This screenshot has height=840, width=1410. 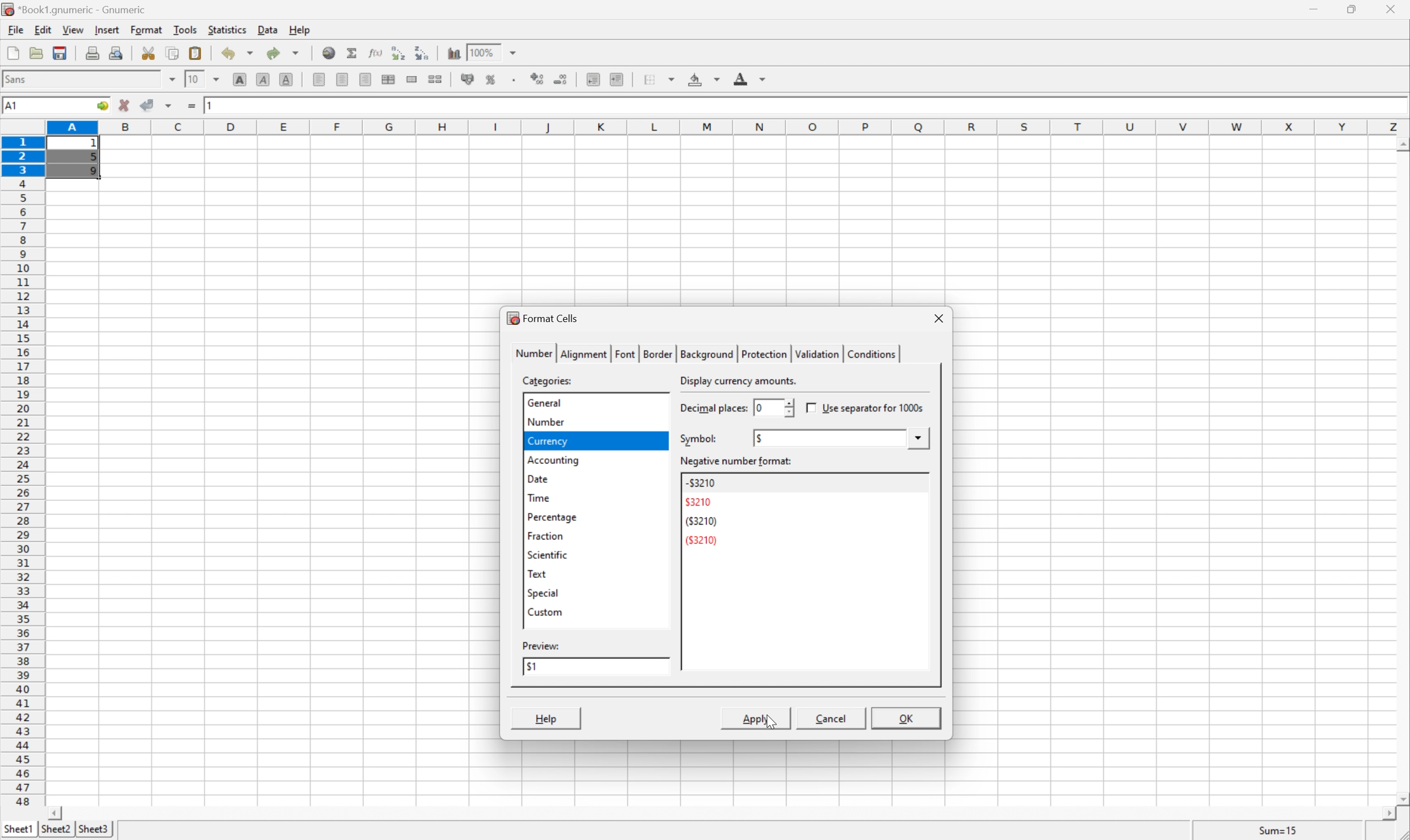 What do you see at coordinates (545, 535) in the screenshot?
I see `fraction` at bounding box center [545, 535].